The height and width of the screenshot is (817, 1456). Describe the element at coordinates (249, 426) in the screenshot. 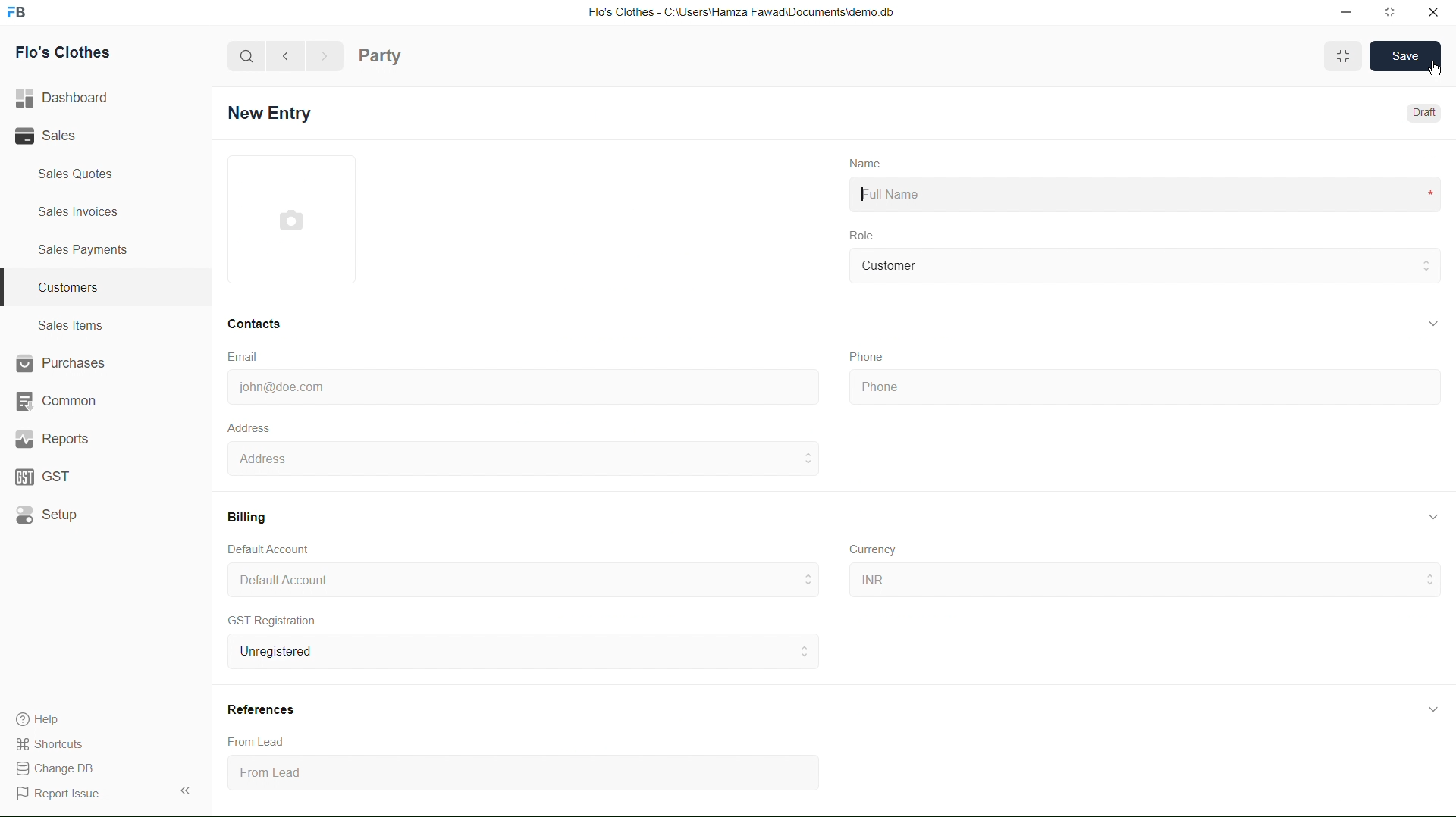

I see `Address` at that location.